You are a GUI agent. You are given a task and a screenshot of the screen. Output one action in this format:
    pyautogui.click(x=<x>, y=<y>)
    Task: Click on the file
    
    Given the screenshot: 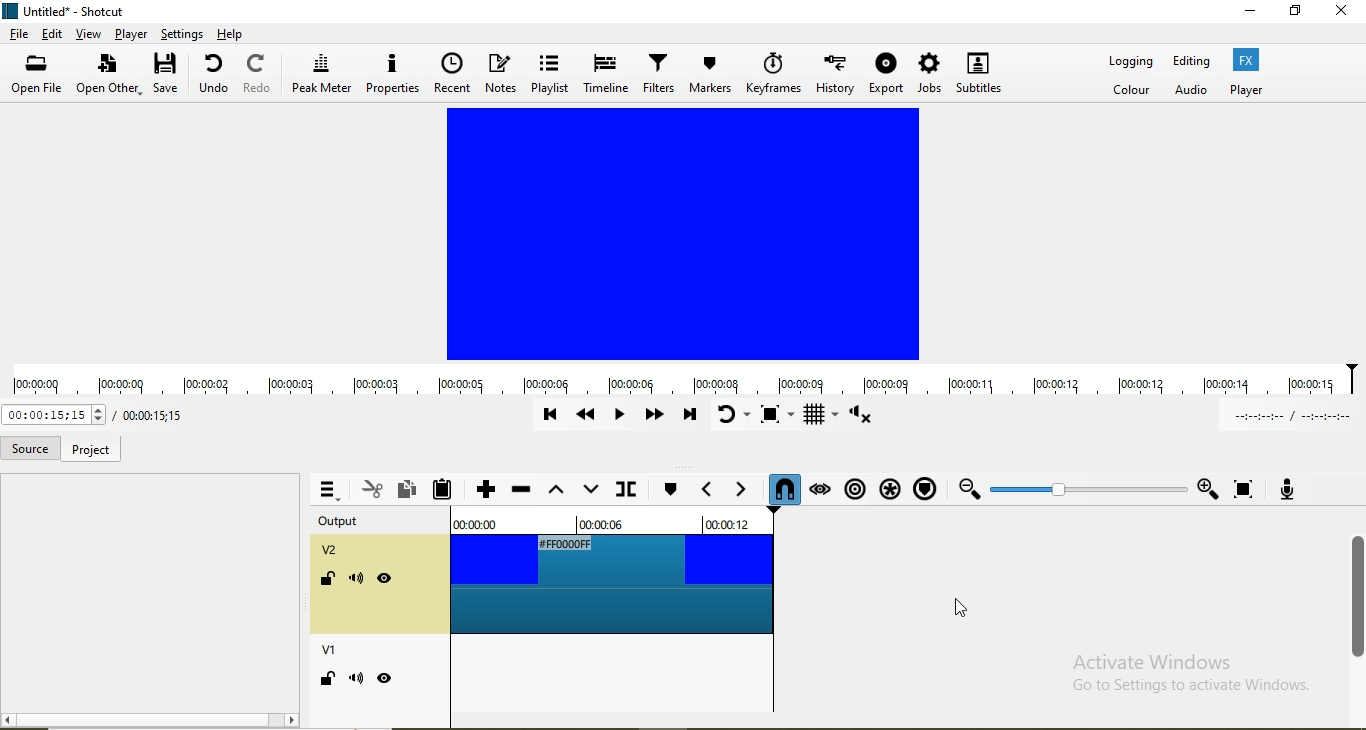 What is the action you would take?
    pyautogui.click(x=19, y=36)
    